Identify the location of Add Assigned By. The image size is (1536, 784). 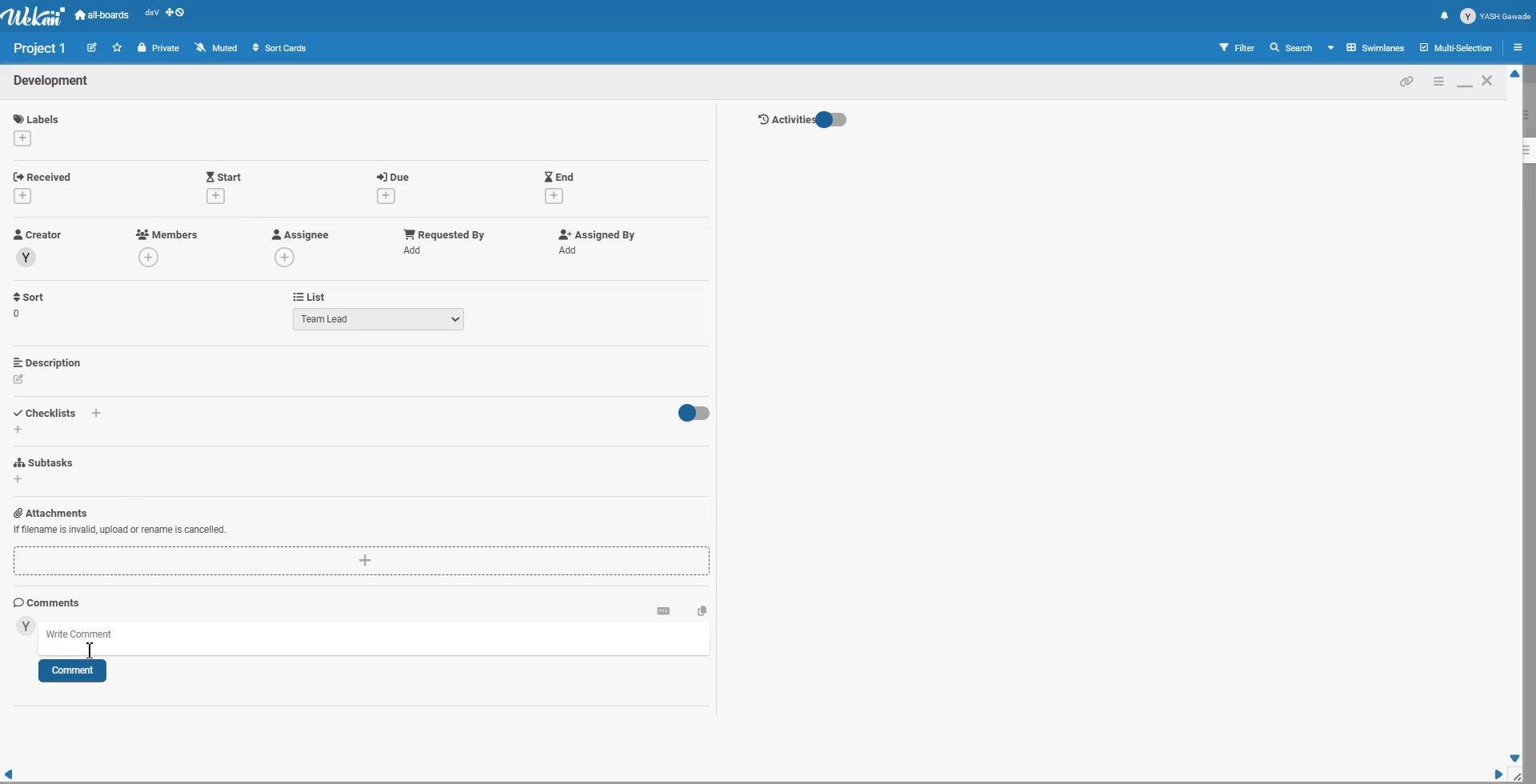
(594, 234).